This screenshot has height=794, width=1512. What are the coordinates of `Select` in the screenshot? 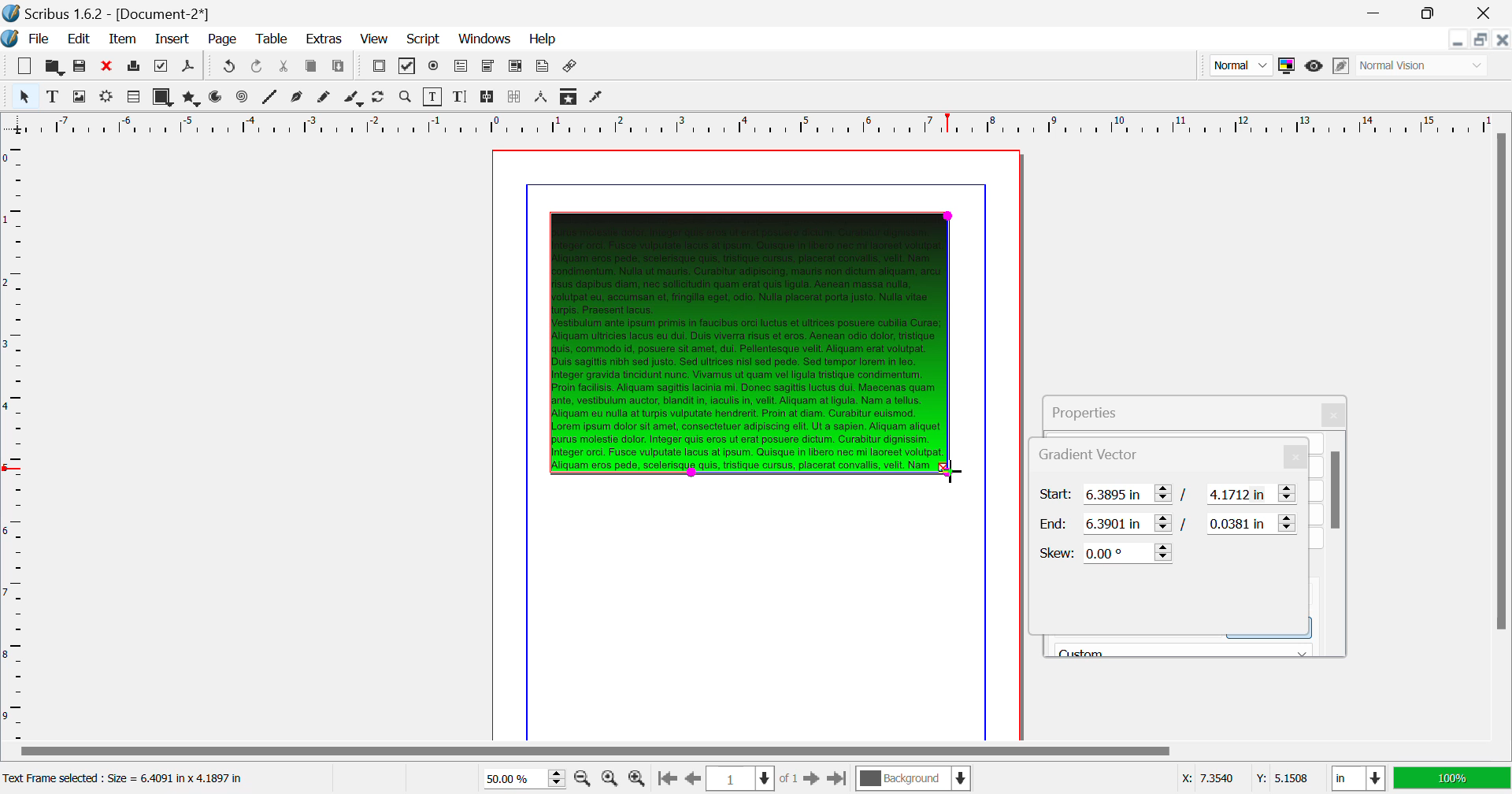 It's located at (24, 95).